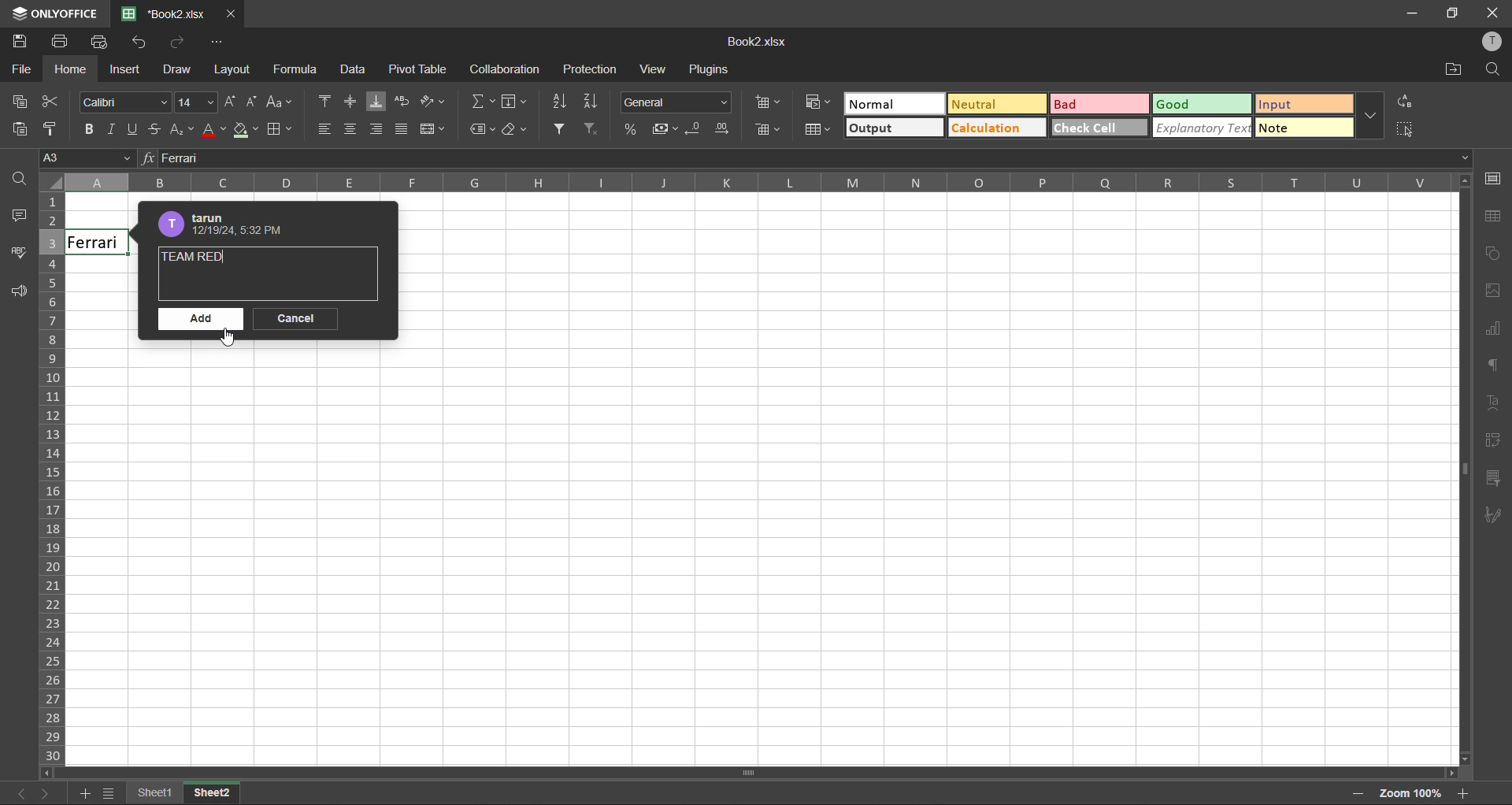  I want to click on strikethrough, so click(158, 132).